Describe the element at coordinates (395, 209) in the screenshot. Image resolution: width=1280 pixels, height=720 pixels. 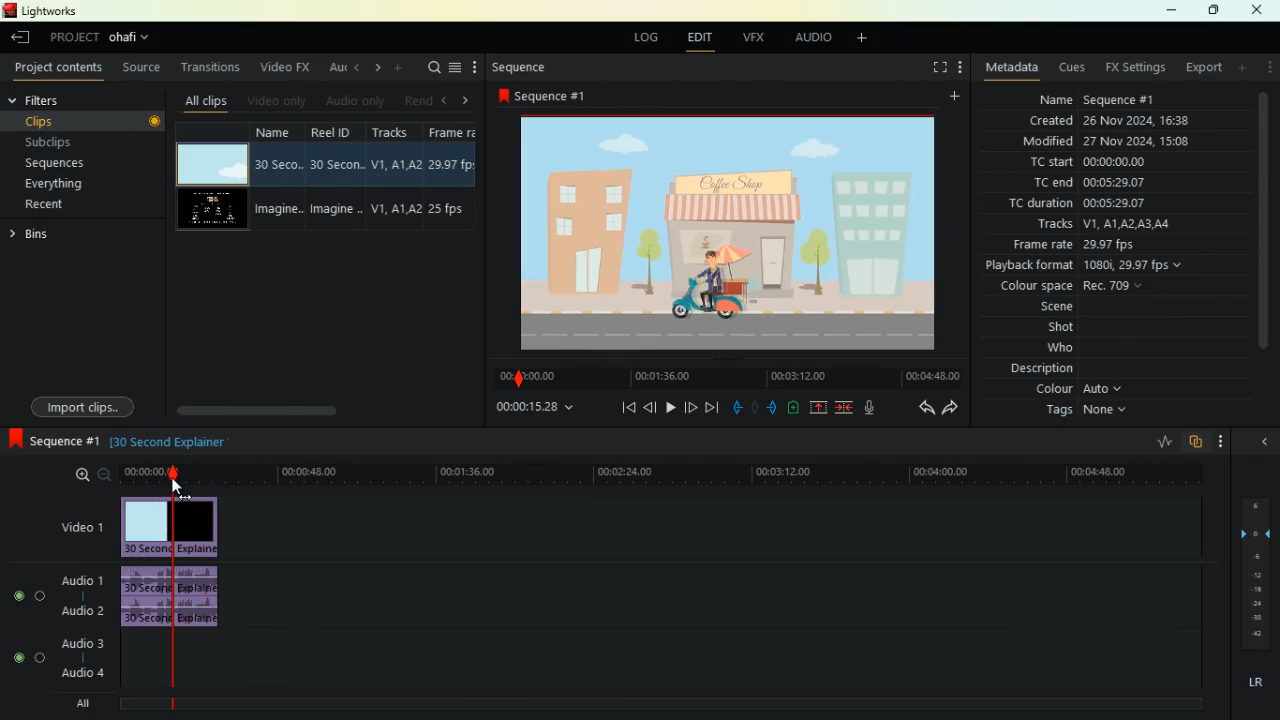
I see `V1,A1, A2` at that location.